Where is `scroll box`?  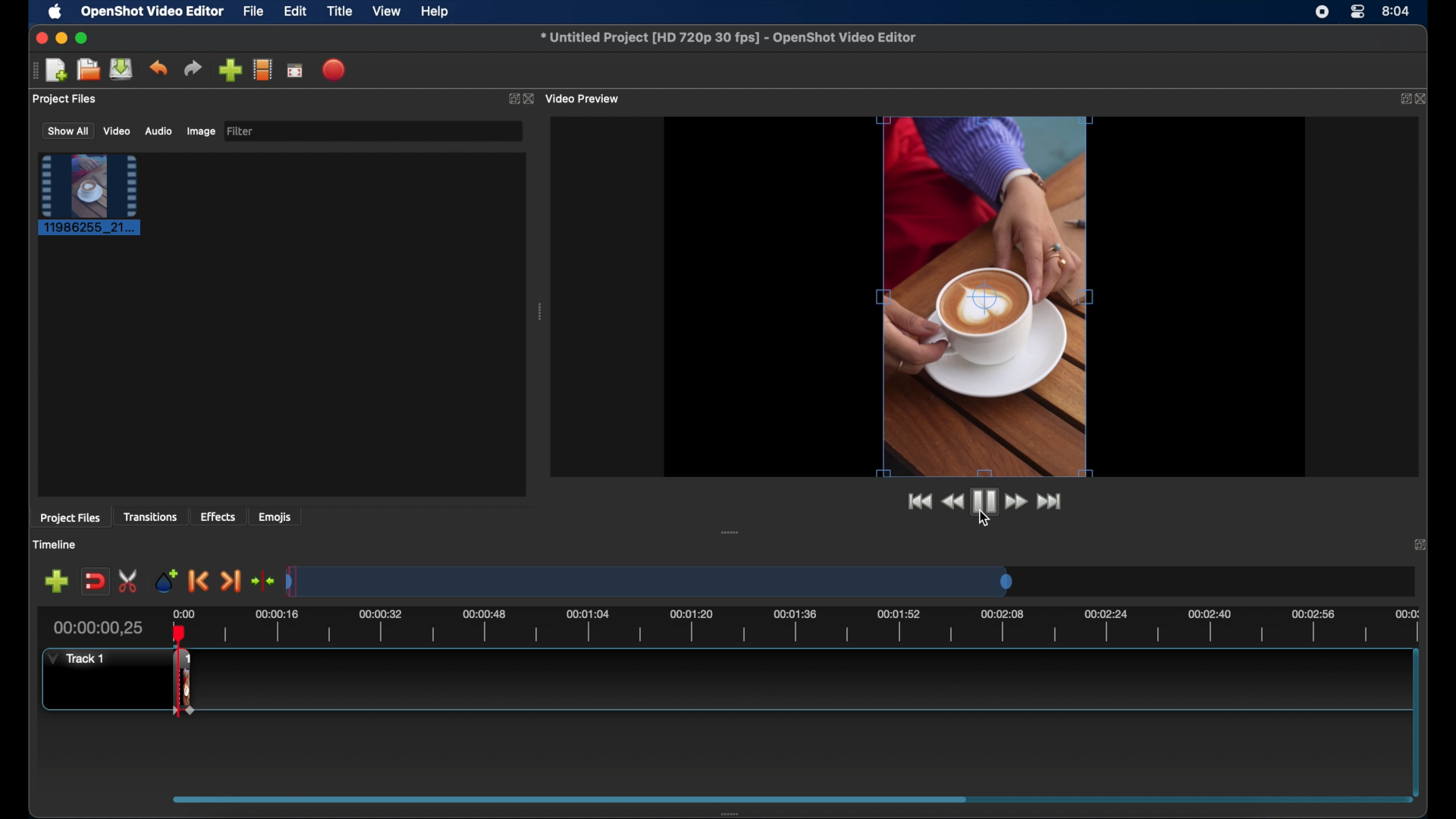
scroll box is located at coordinates (568, 797).